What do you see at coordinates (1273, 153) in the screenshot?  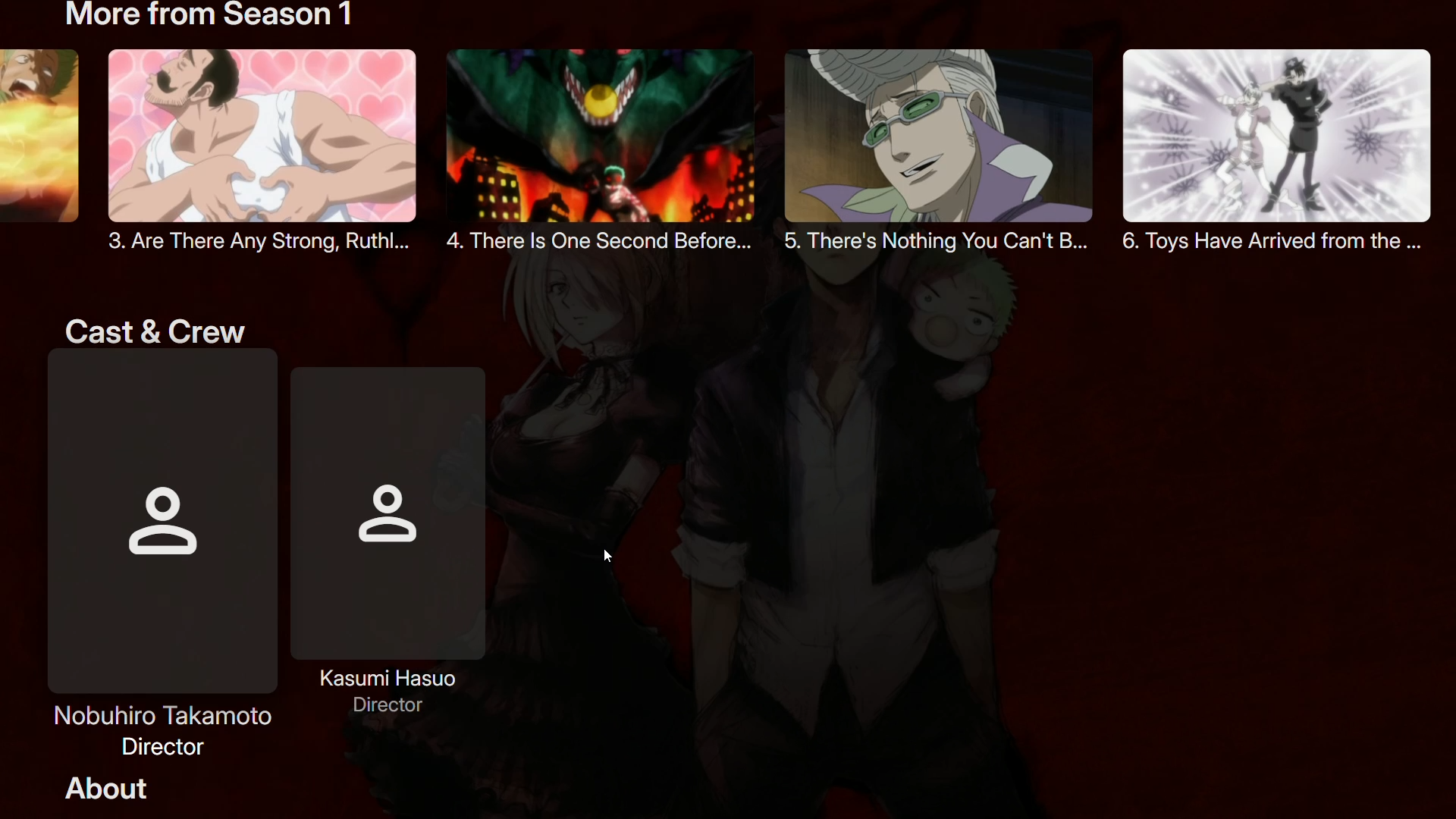 I see `Toys have arrived from the` at bounding box center [1273, 153].